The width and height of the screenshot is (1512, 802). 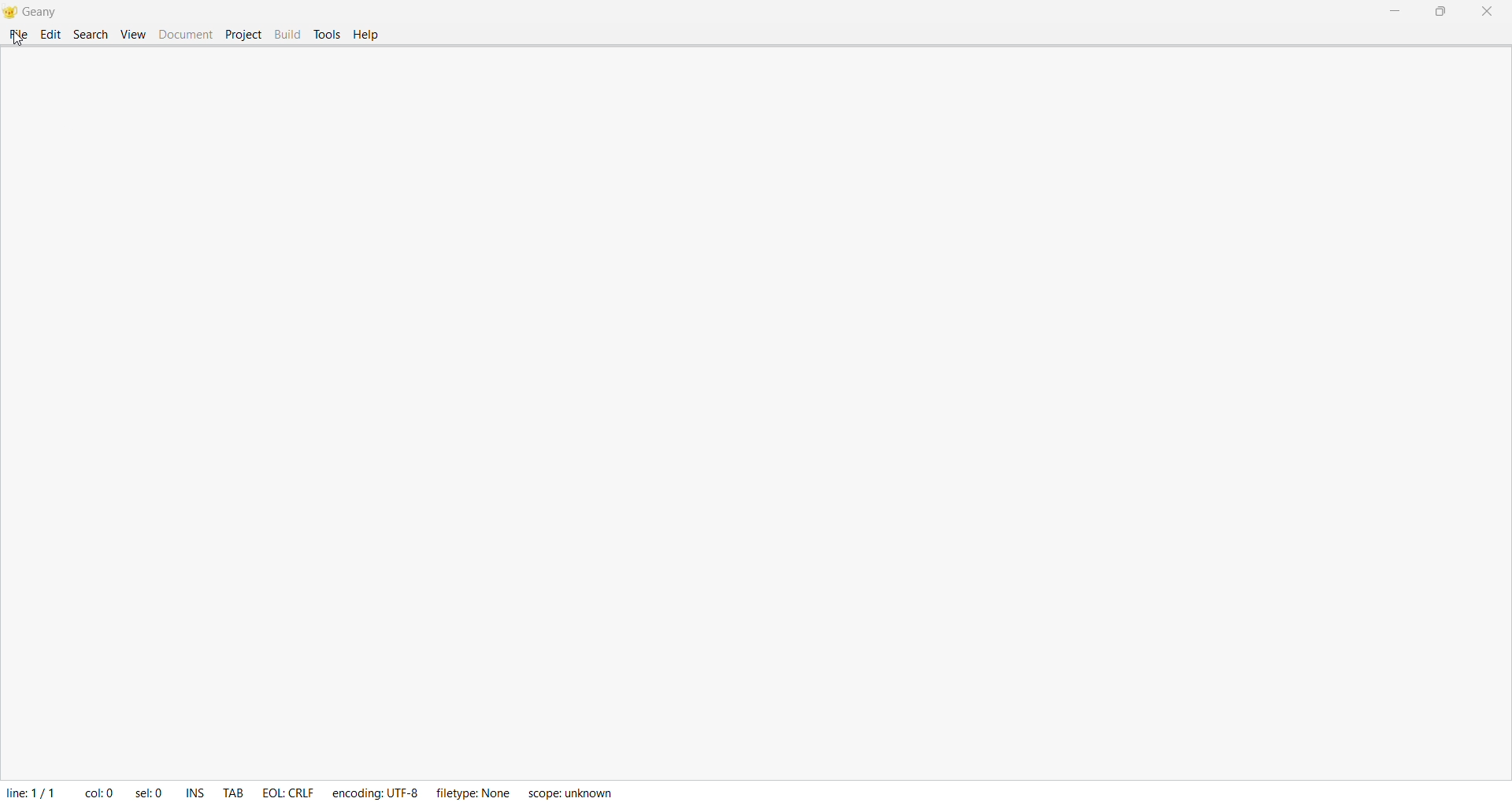 What do you see at coordinates (185, 35) in the screenshot?
I see `Document` at bounding box center [185, 35].